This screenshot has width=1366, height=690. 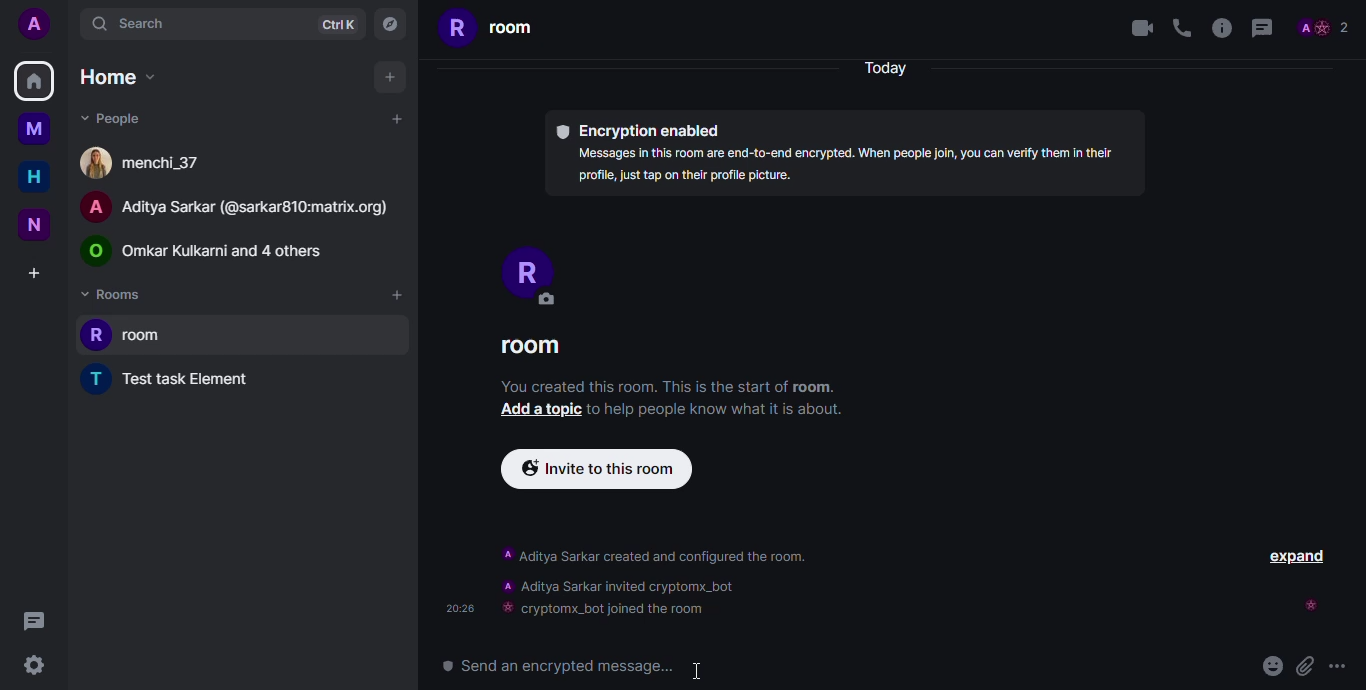 What do you see at coordinates (398, 296) in the screenshot?
I see `add` at bounding box center [398, 296].